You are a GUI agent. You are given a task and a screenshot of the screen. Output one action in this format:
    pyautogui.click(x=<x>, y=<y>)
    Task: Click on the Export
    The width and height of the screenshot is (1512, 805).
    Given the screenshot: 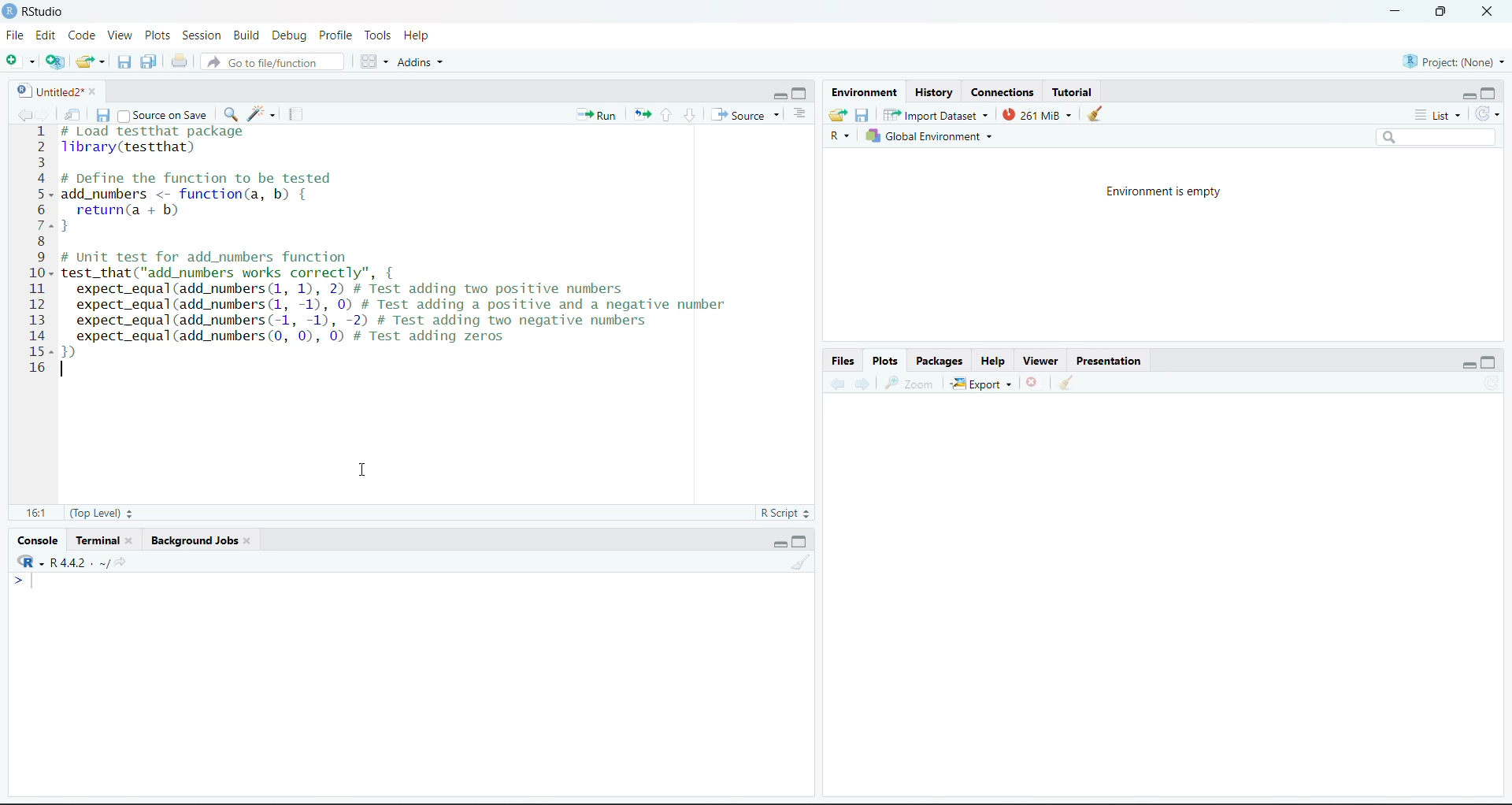 What is the action you would take?
    pyautogui.click(x=980, y=384)
    